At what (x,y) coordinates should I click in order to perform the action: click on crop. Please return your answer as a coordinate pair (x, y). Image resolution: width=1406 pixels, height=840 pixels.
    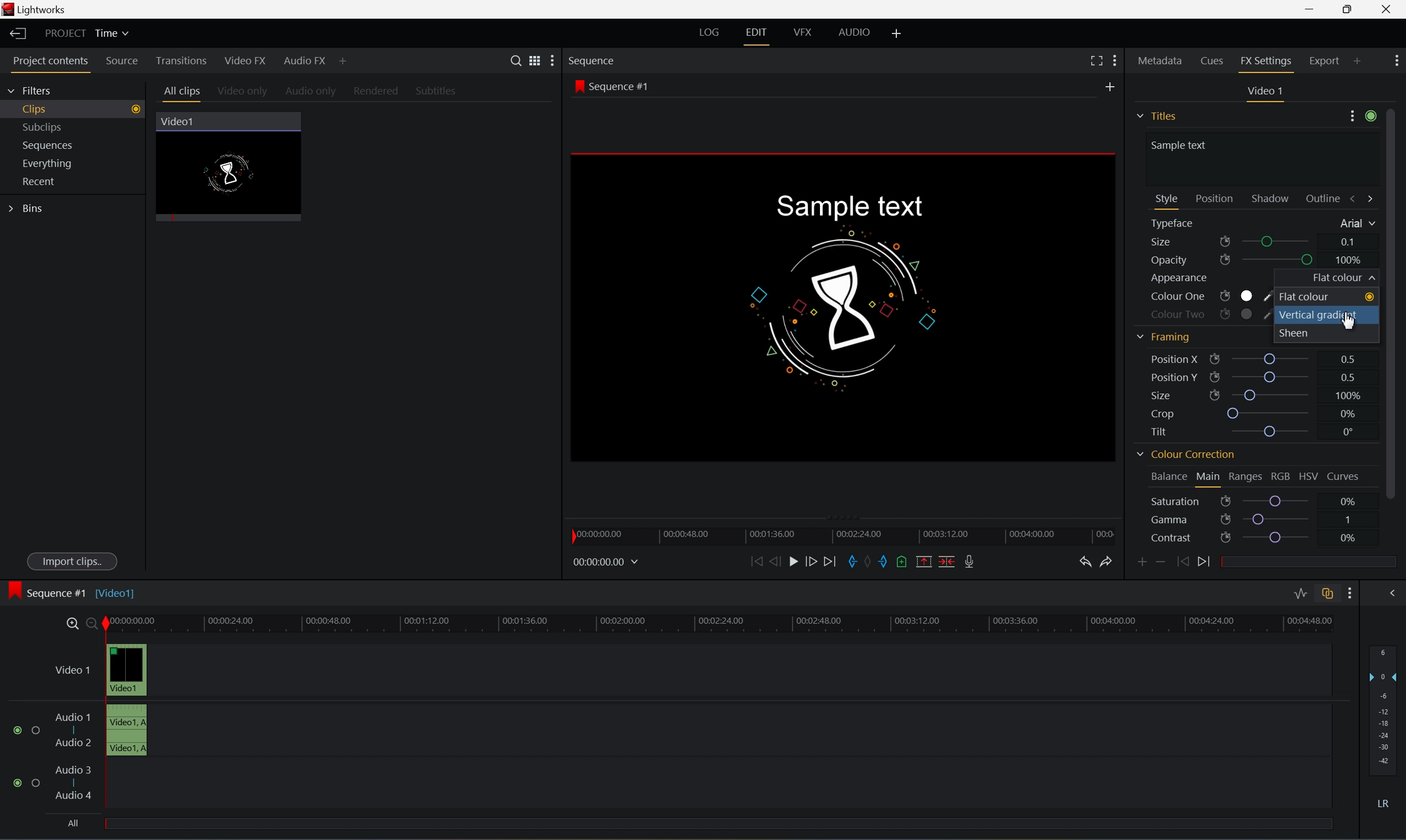
    Looking at the image, I should click on (1166, 414).